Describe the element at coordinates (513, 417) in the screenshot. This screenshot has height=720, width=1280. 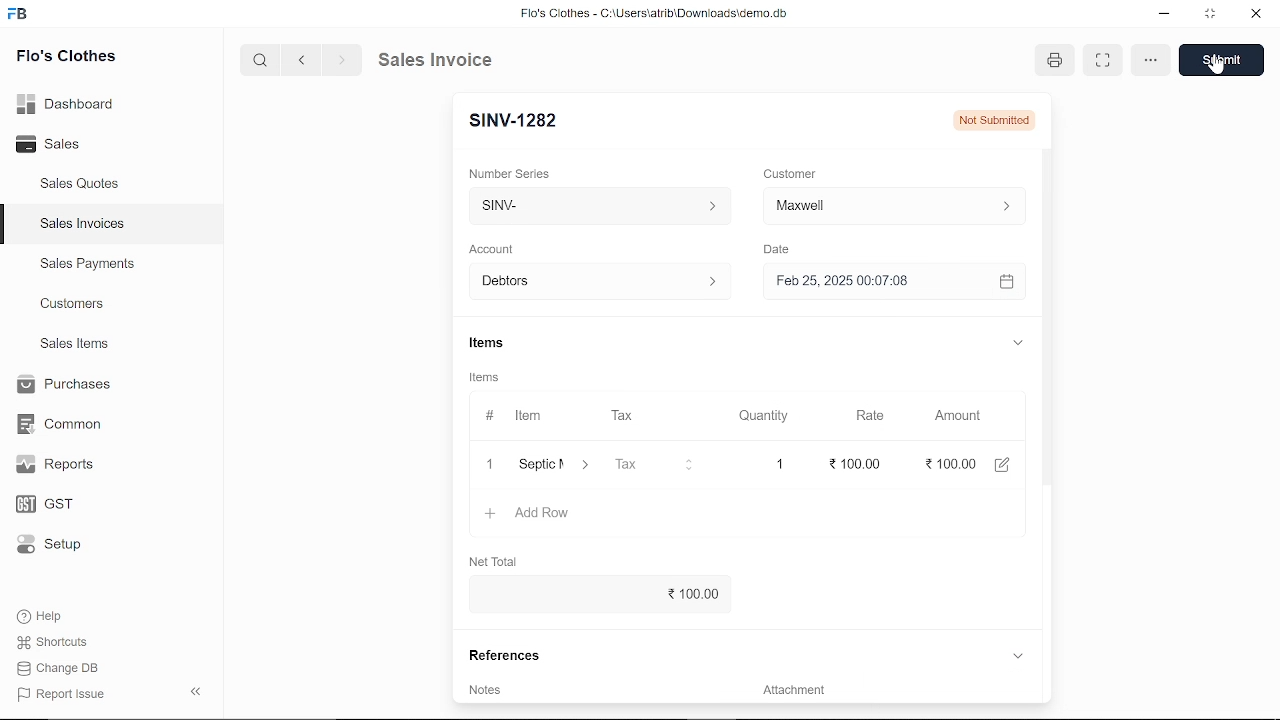
I see `# Item` at that location.